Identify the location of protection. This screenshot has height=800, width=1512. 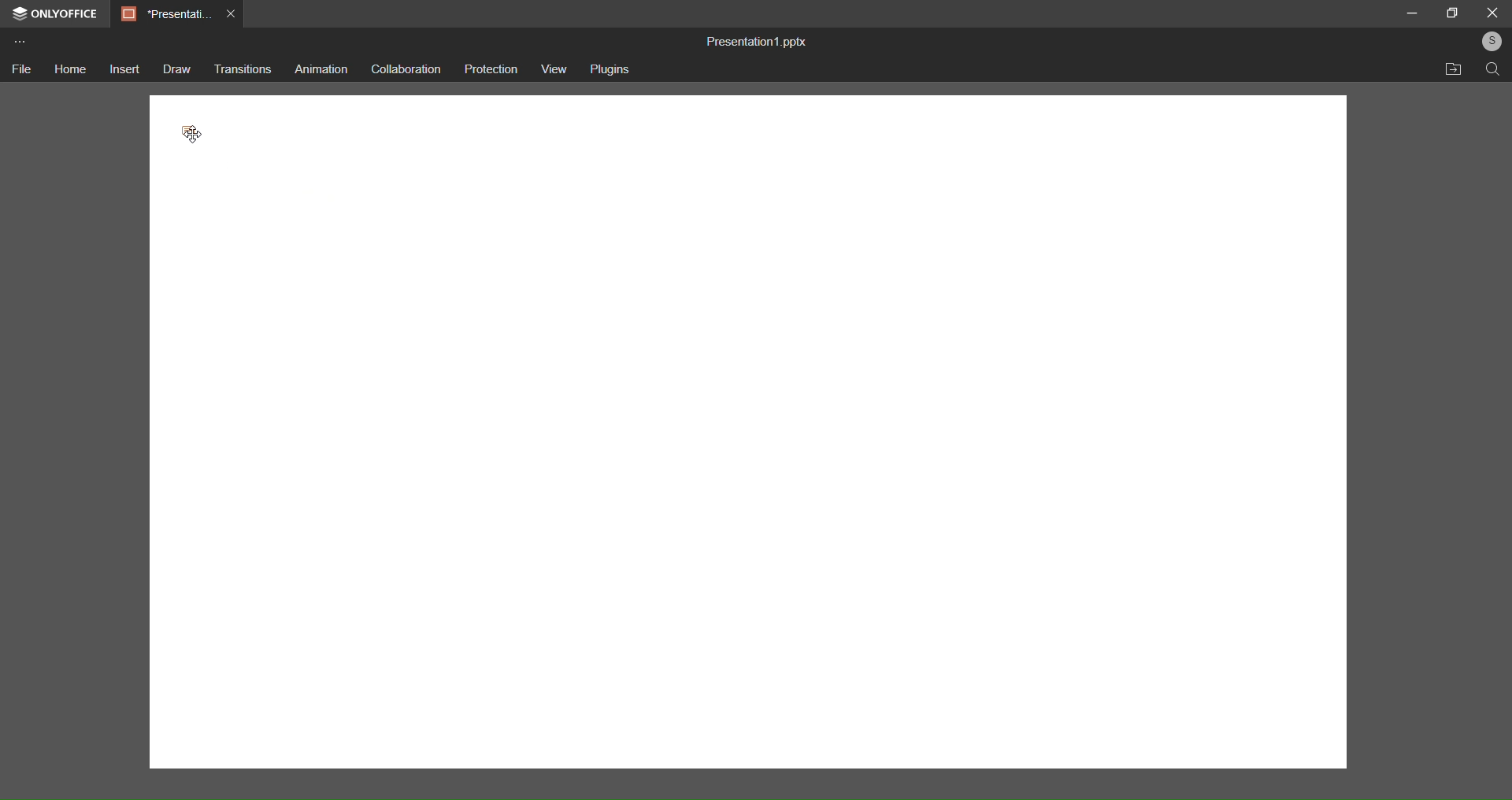
(492, 72).